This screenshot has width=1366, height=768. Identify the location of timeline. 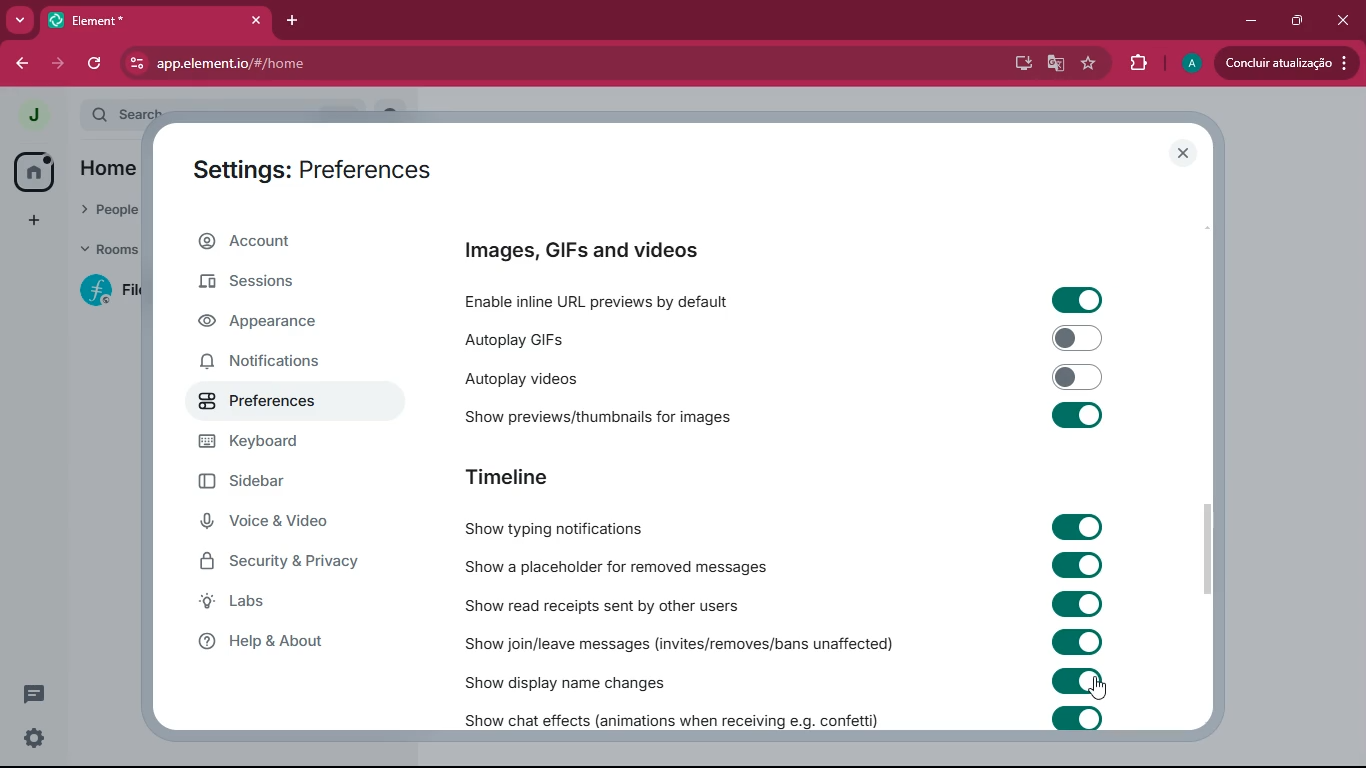
(509, 478).